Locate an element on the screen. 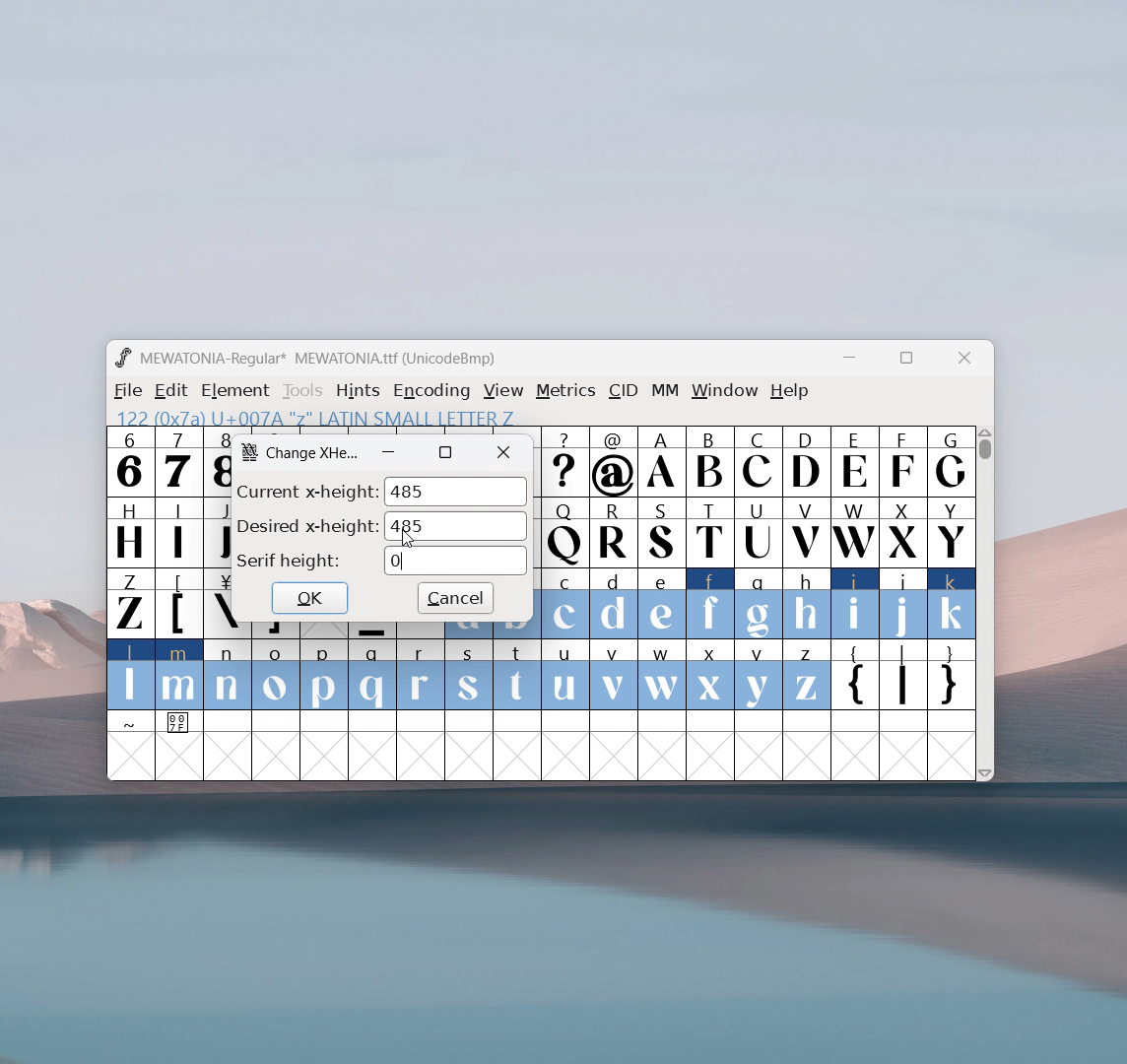 Image resolution: width=1127 pixels, height=1064 pixels. Vertical is located at coordinates (986, 601).